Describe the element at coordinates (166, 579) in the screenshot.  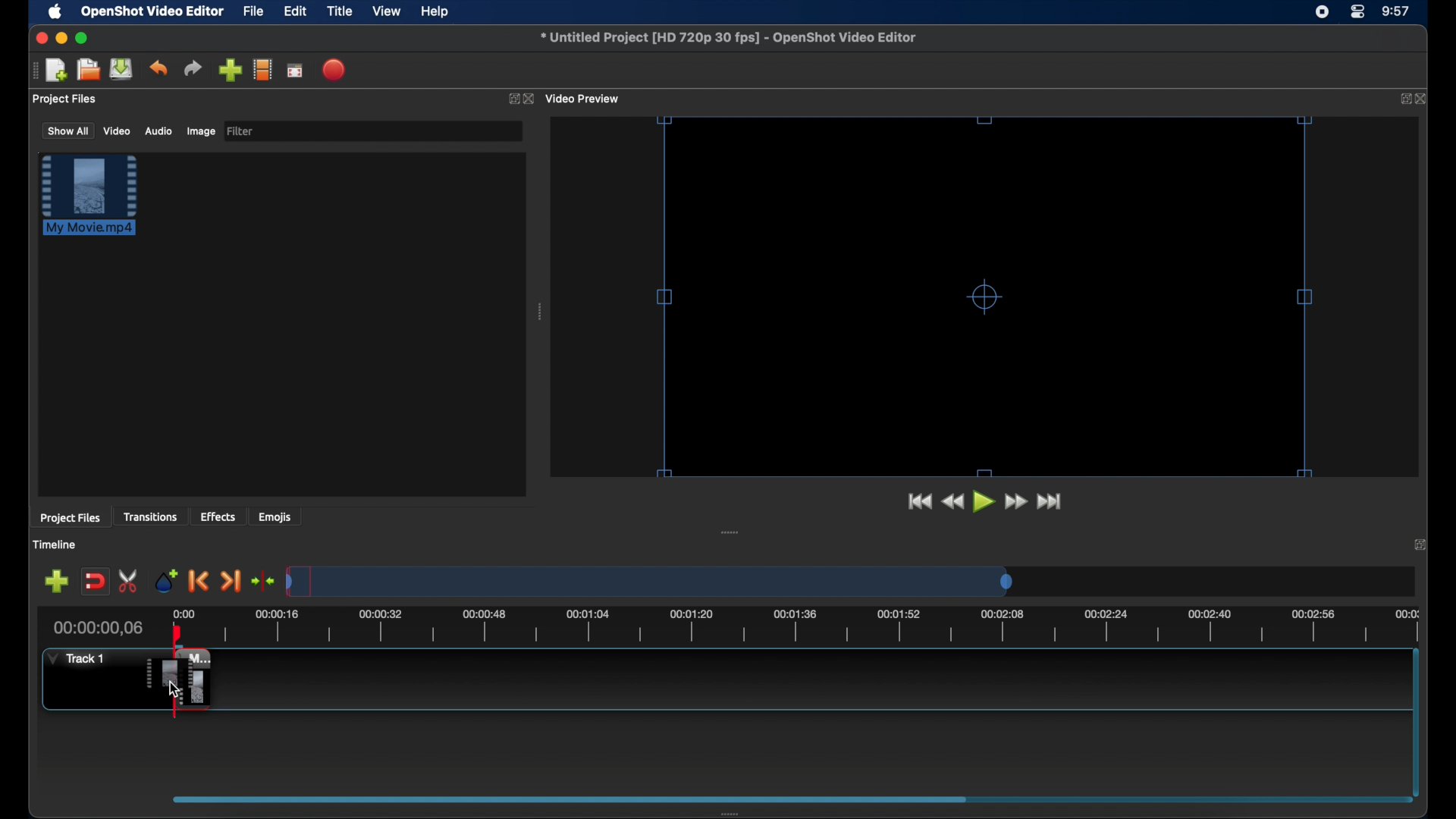
I see `add marker` at that location.